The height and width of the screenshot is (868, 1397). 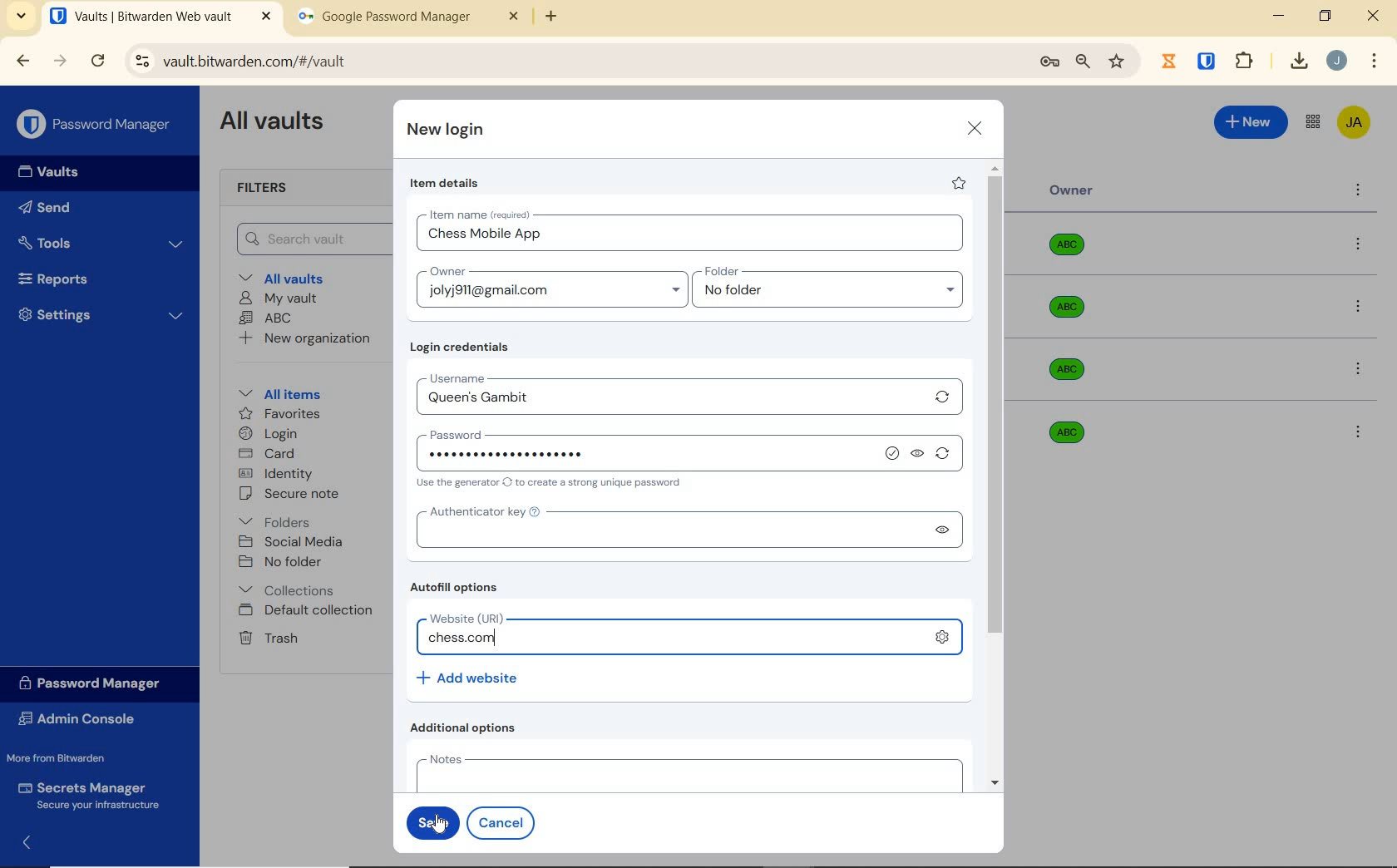 What do you see at coordinates (278, 519) in the screenshot?
I see `Folders` at bounding box center [278, 519].